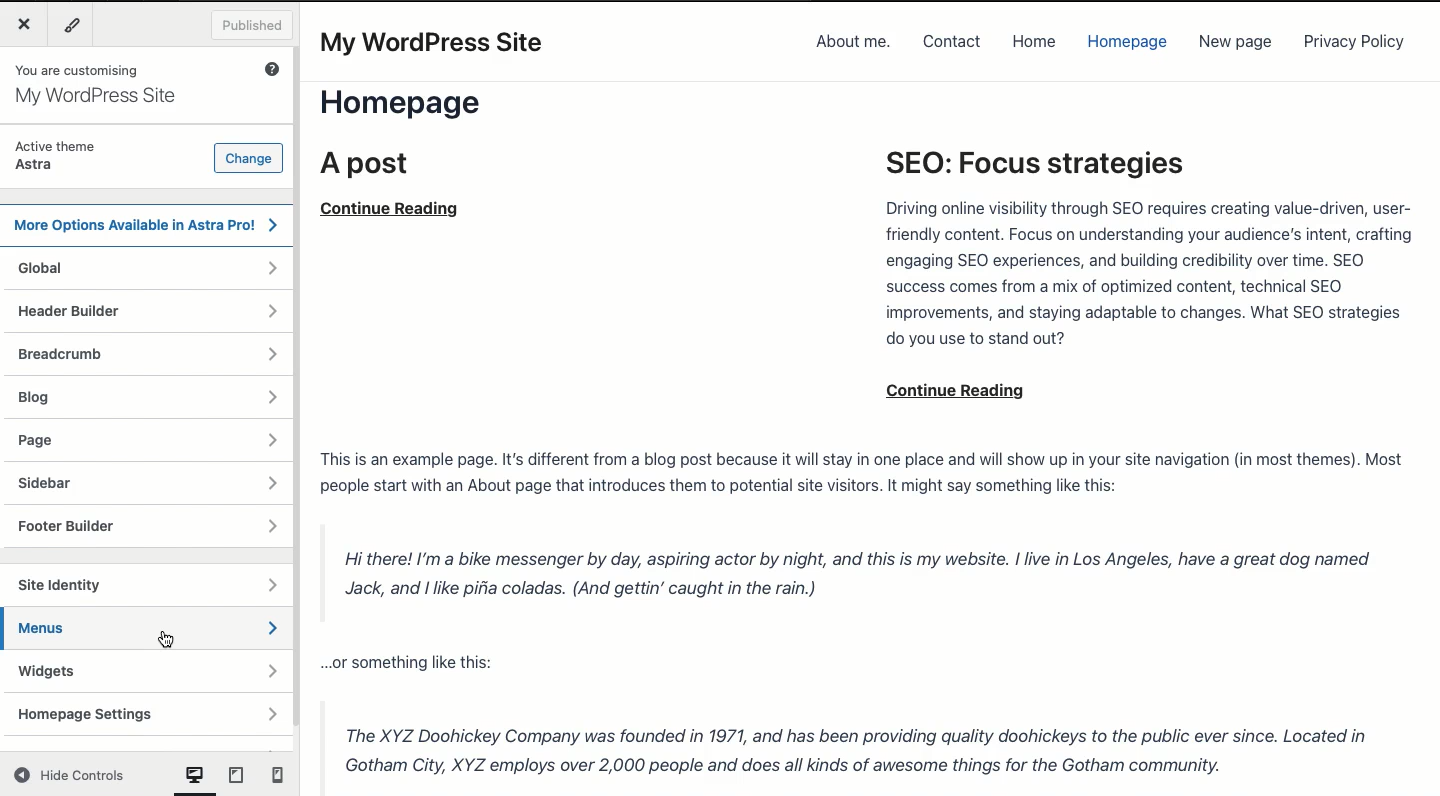 The width and height of the screenshot is (1440, 796). I want to click on Help, so click(271, 69).